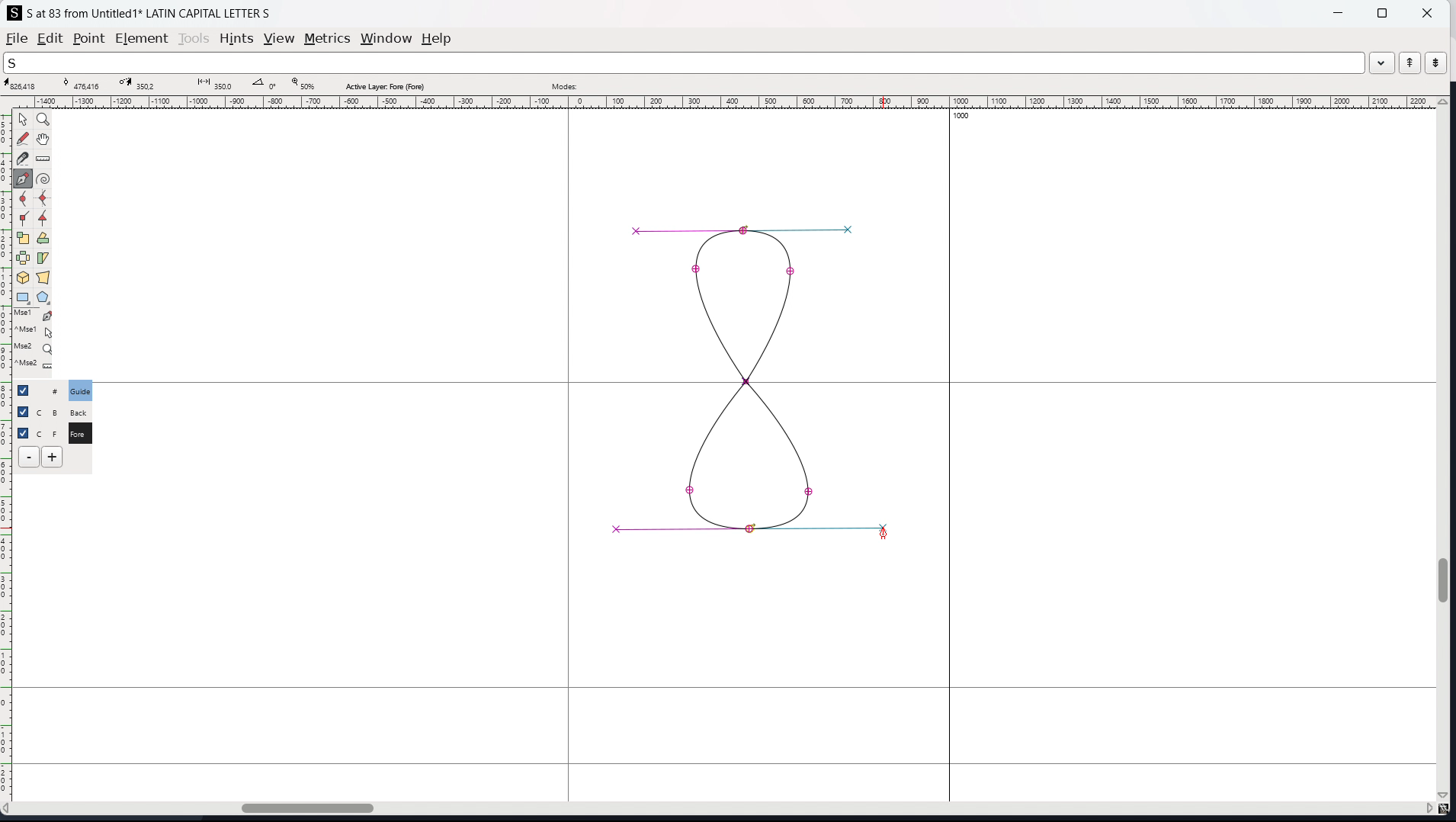  What do you see at coordinates (144, 84) in the screenshot?
I see `cursor destination coordinate` at bounding box center [144, 84].